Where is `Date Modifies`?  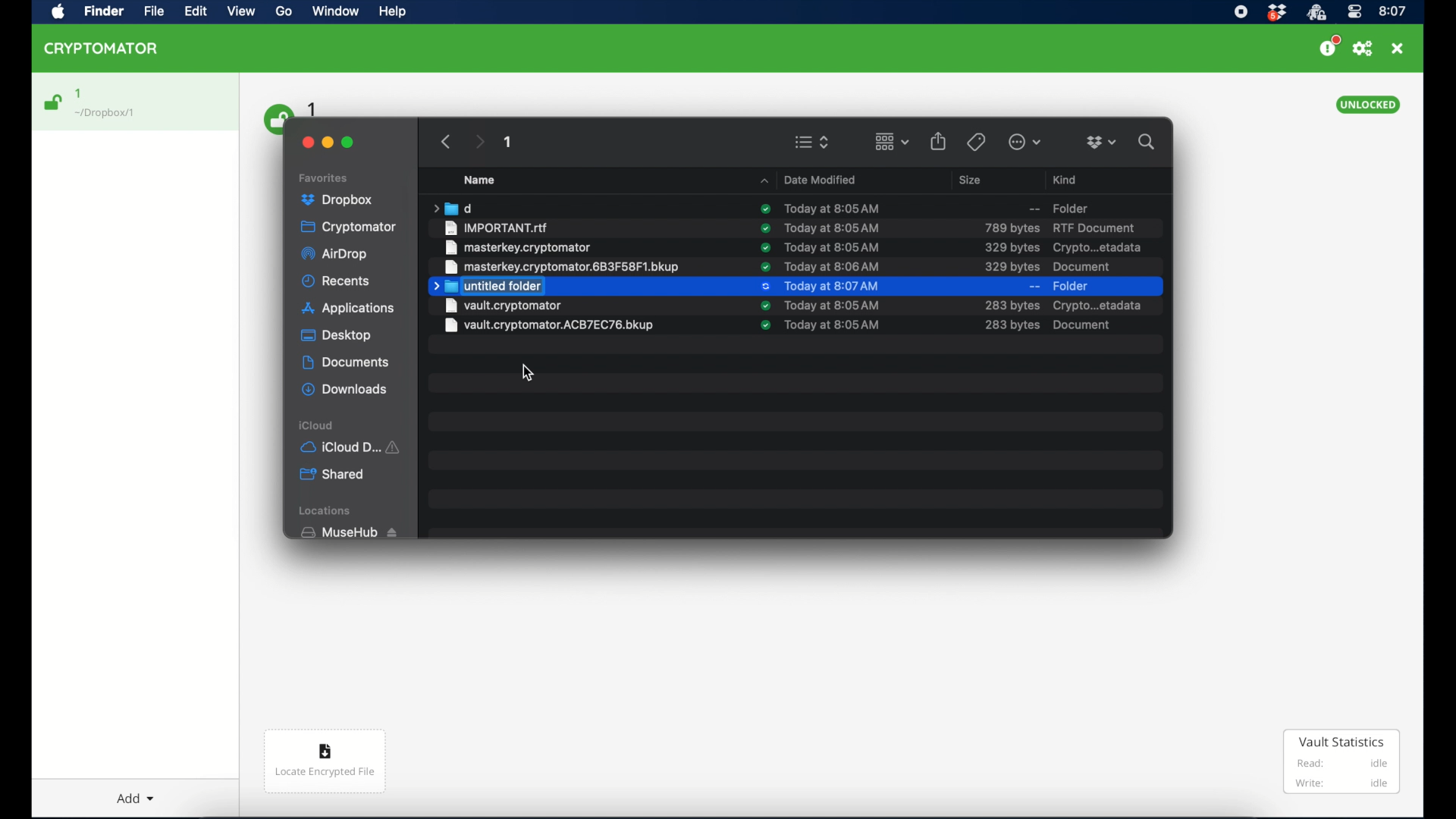
Date Modifies is located at coordinates (808, 178).